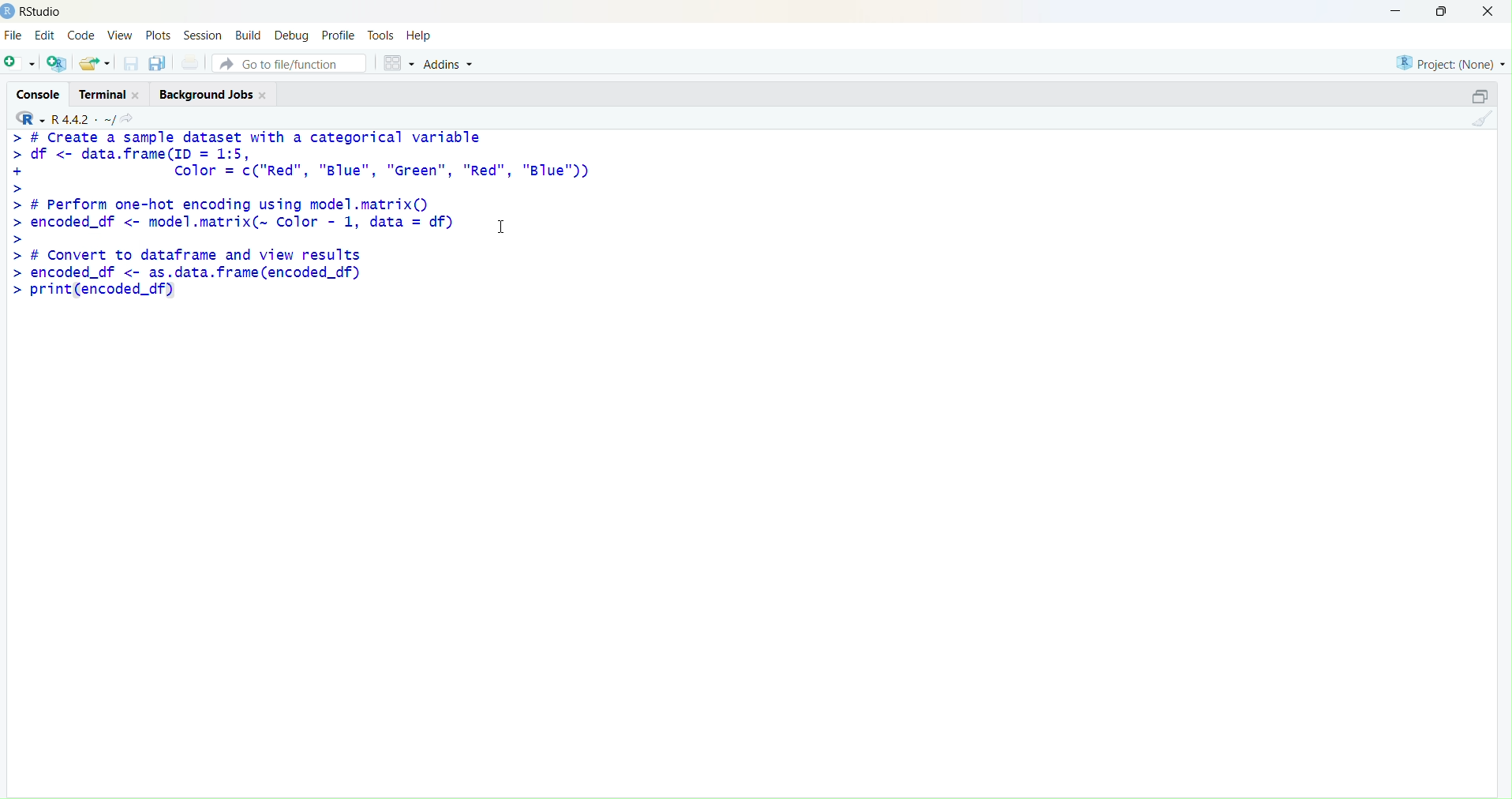 The image size is (1512, 799). I want to click on debug, so click(291, 37).